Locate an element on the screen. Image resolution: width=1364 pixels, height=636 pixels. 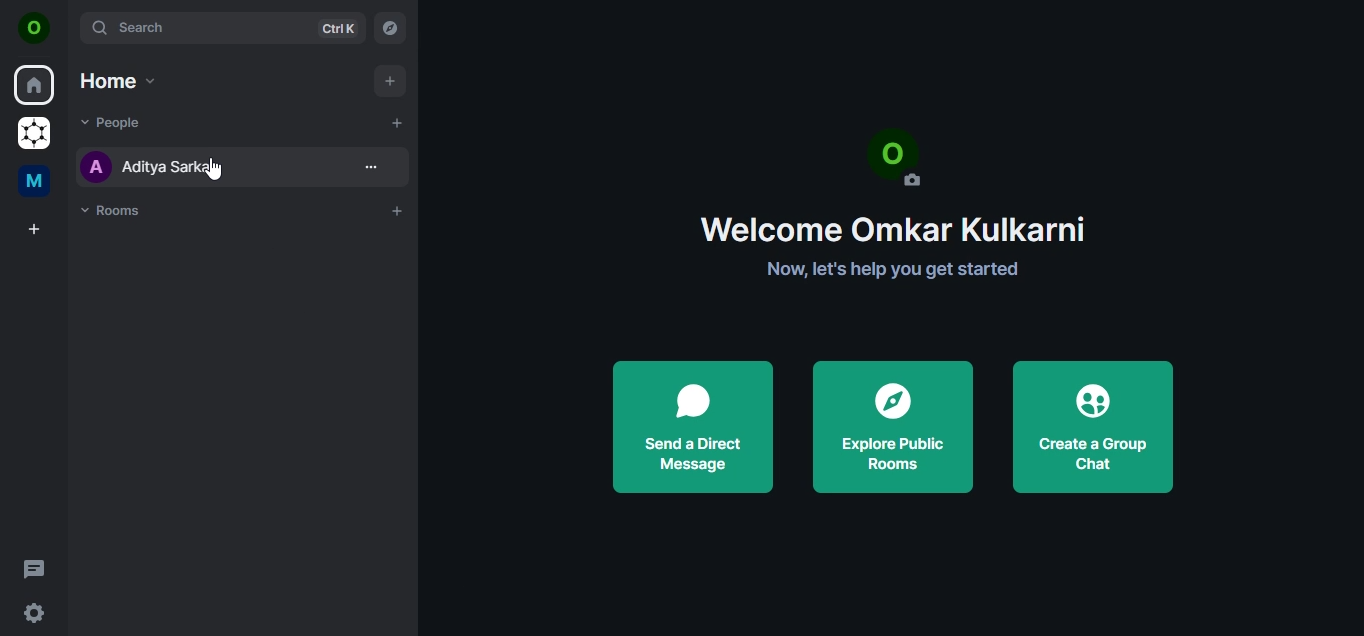
icon is located at coordinates (34, 28).